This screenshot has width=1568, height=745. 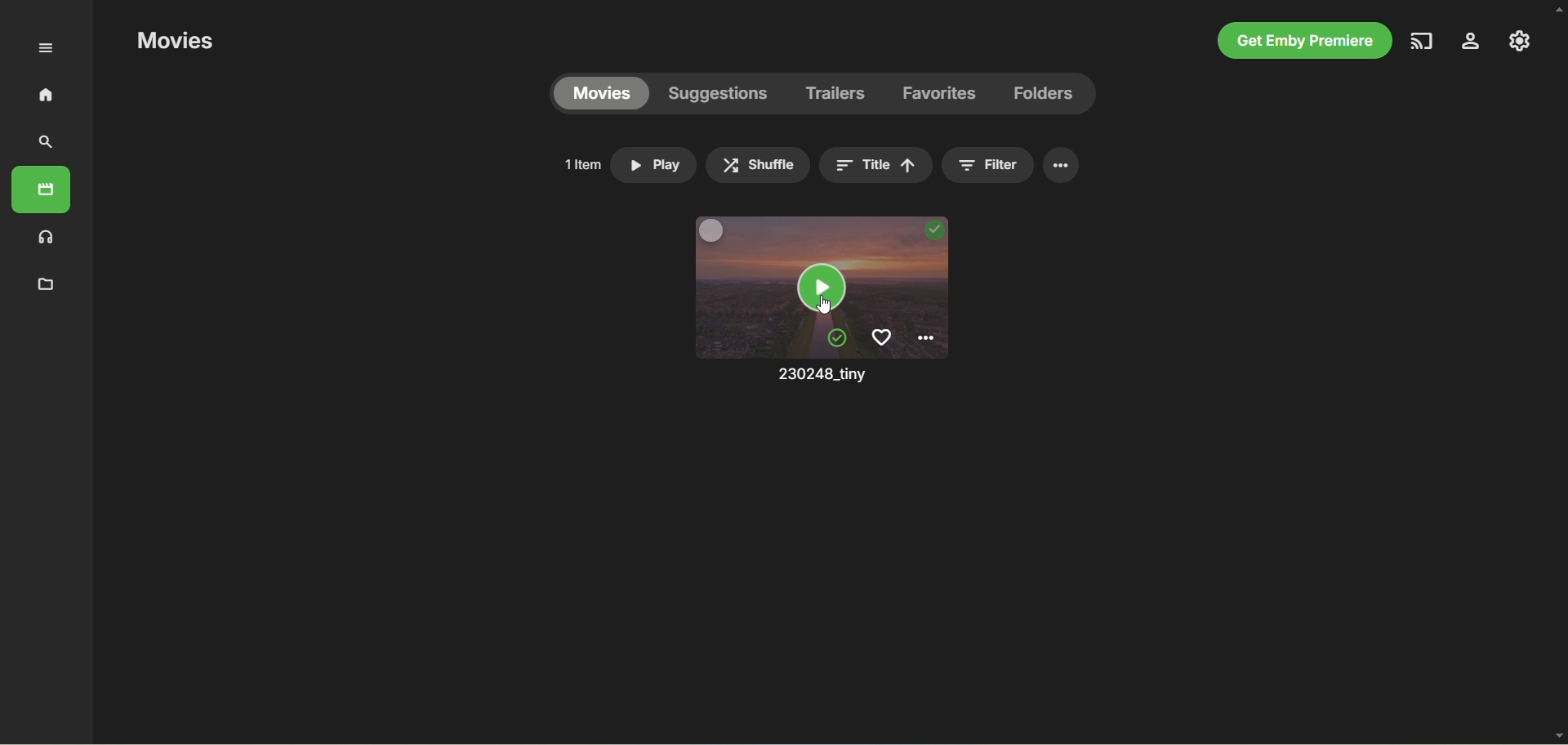 I want to click on manage emby server, so click(x=1521, y=43).